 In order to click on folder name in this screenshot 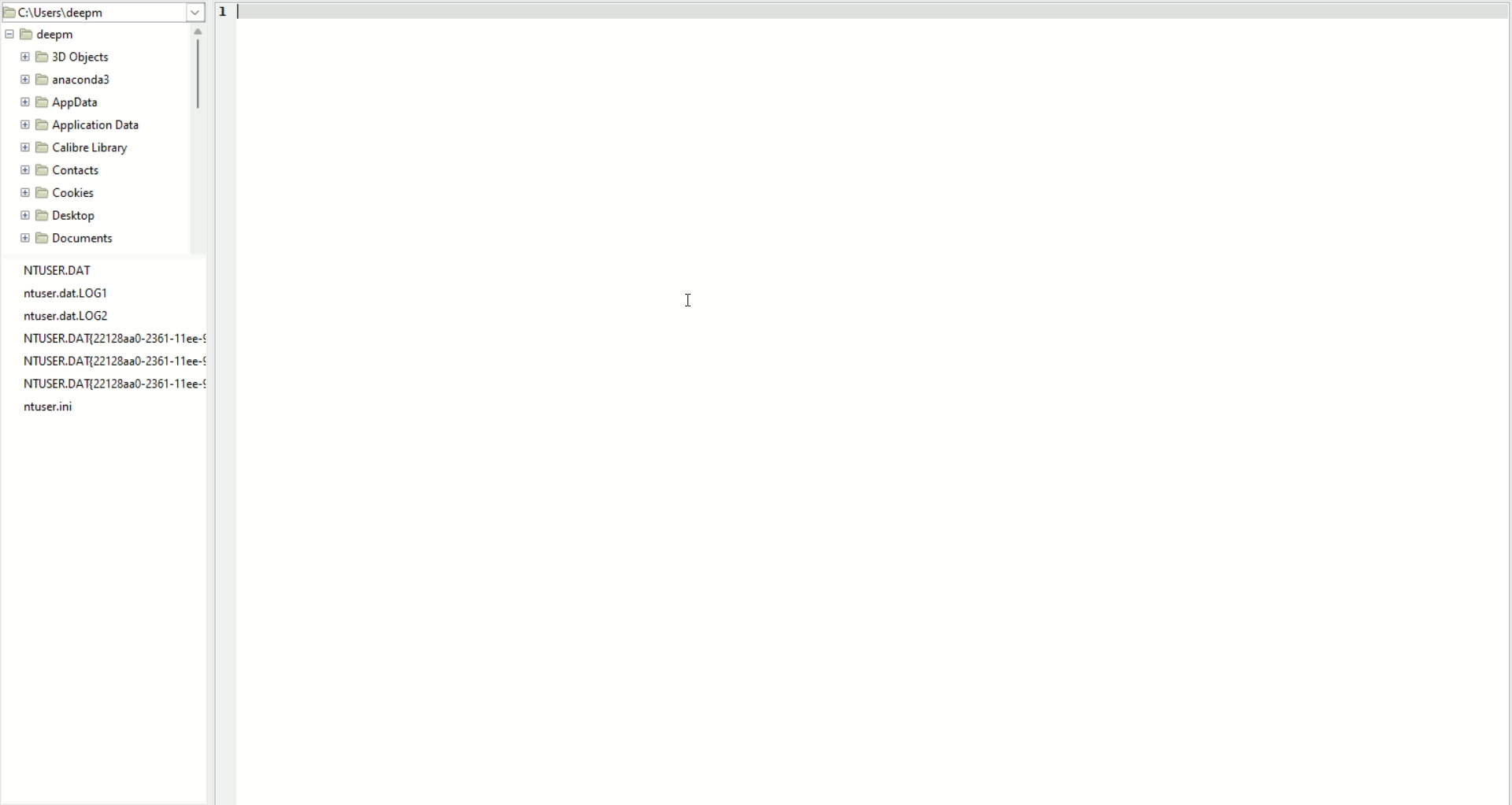, I will do `click(73, 239)`.